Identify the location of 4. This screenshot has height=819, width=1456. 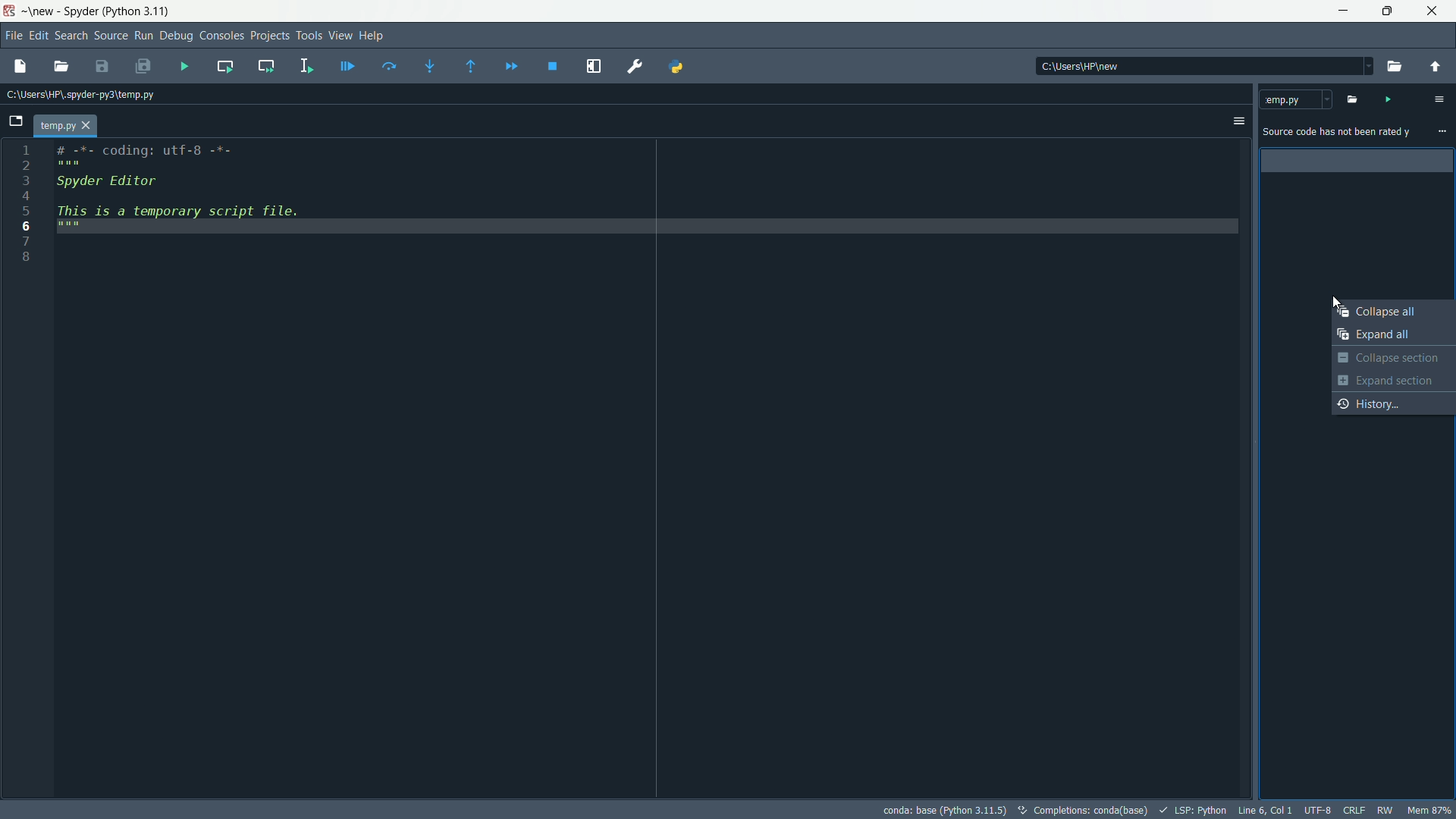
(26, 196).